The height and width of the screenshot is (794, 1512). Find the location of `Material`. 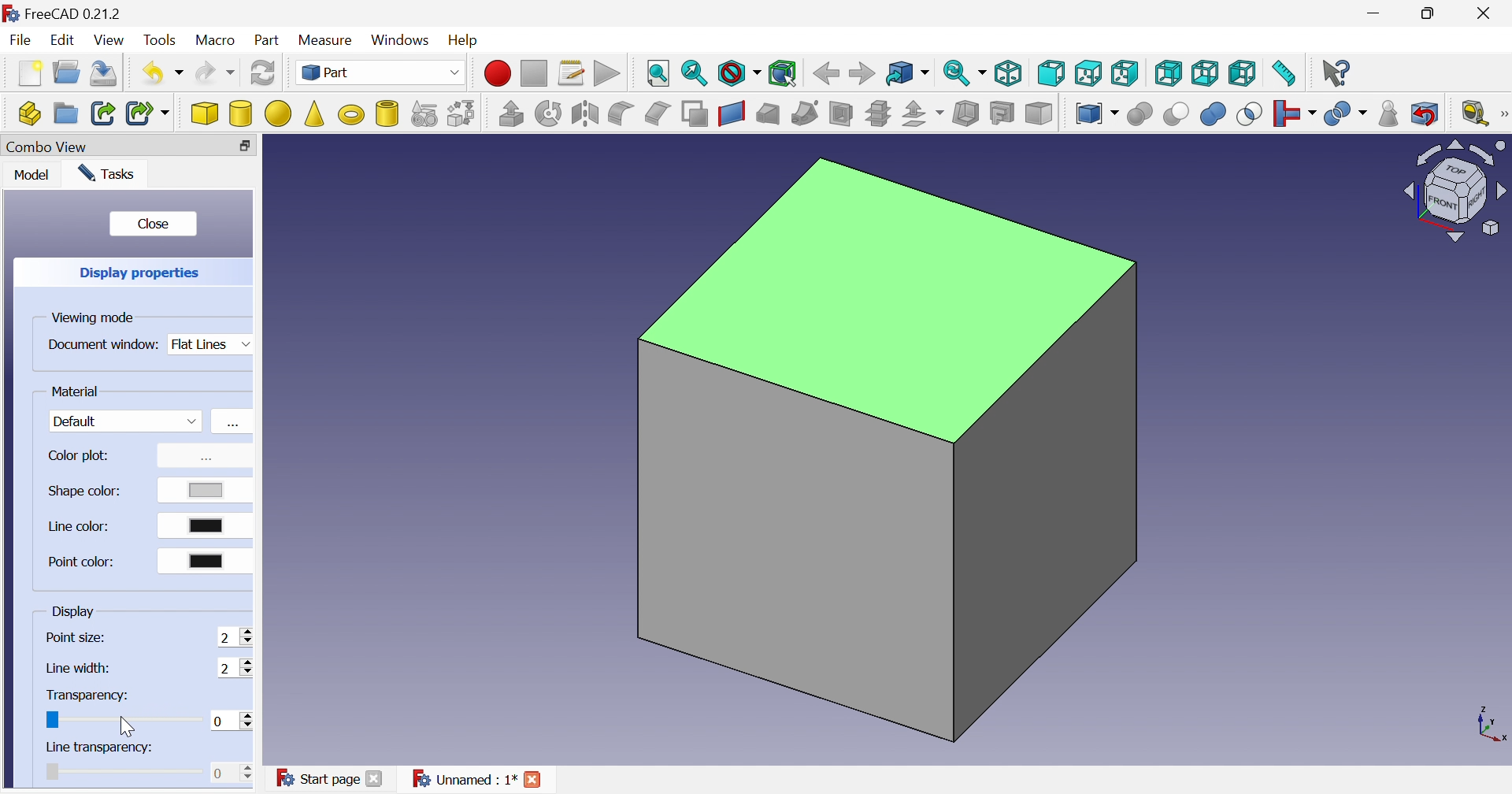

Material is located at coordinates (75, 391).